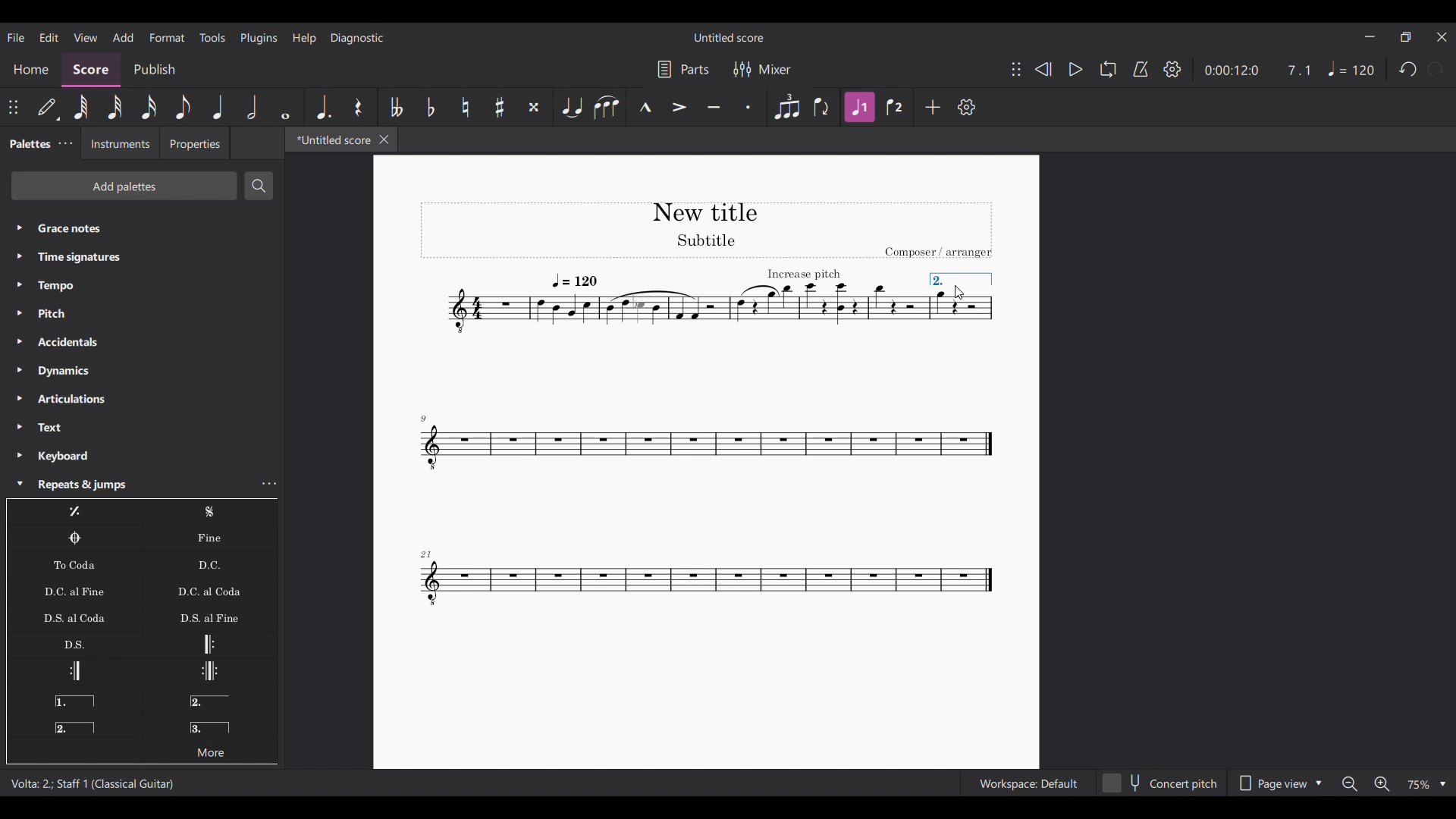 The image size is (1456, 819). Describe the element at coordinates (1351, 784) in the screenshot. I see `Zoom out` at that location.